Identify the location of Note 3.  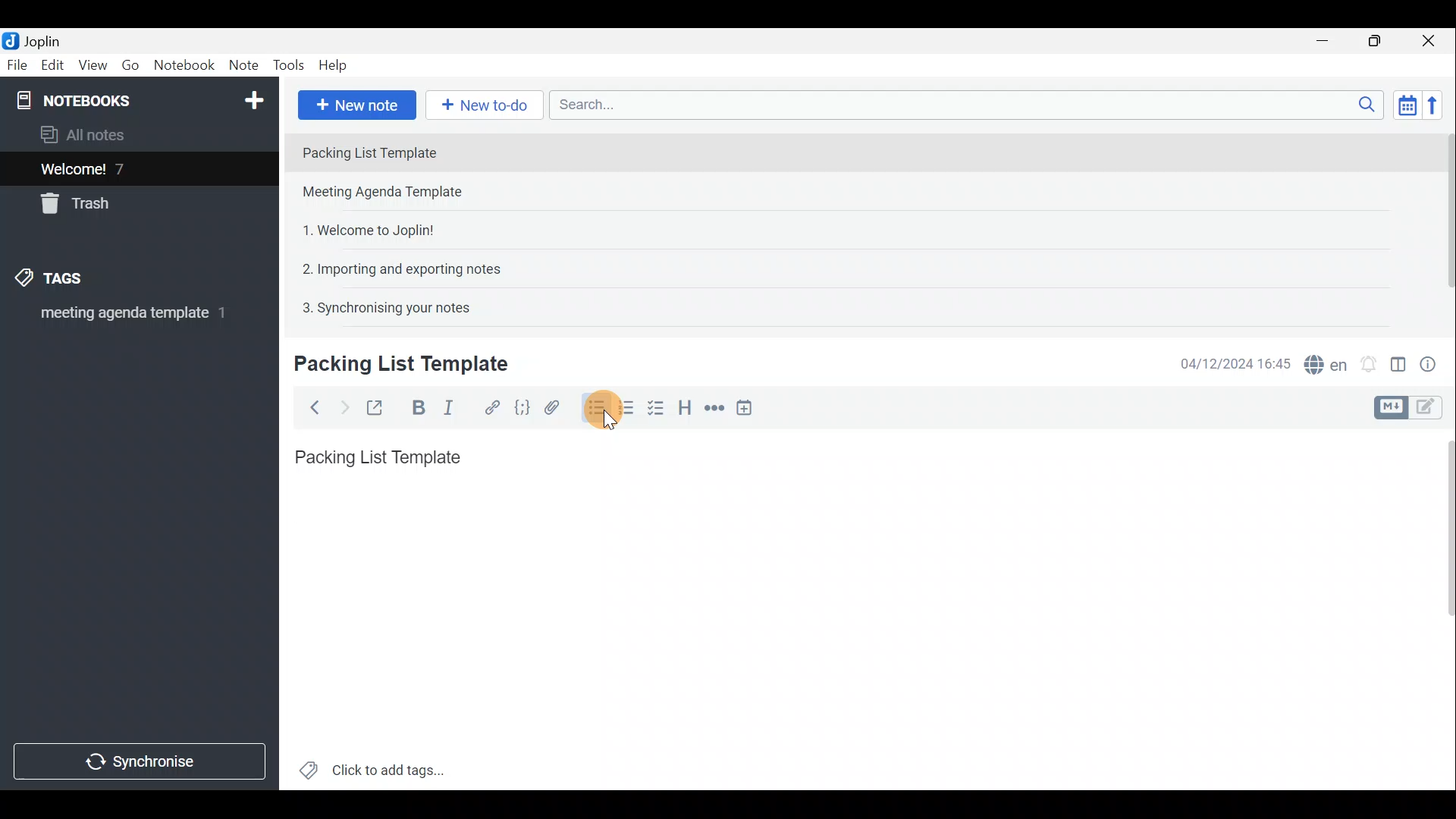
(362, 228).